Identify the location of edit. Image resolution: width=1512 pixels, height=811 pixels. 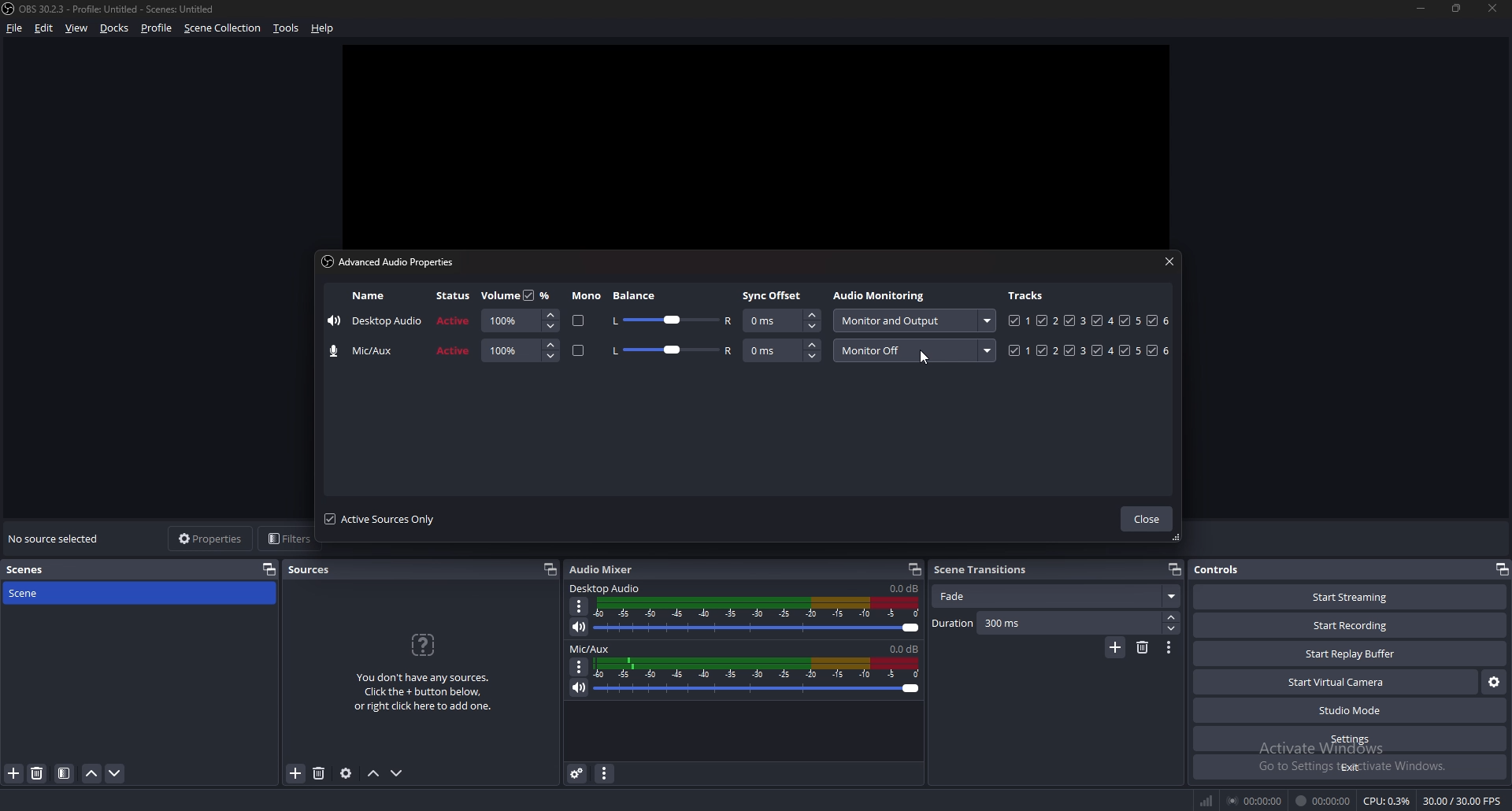
(46, 28).